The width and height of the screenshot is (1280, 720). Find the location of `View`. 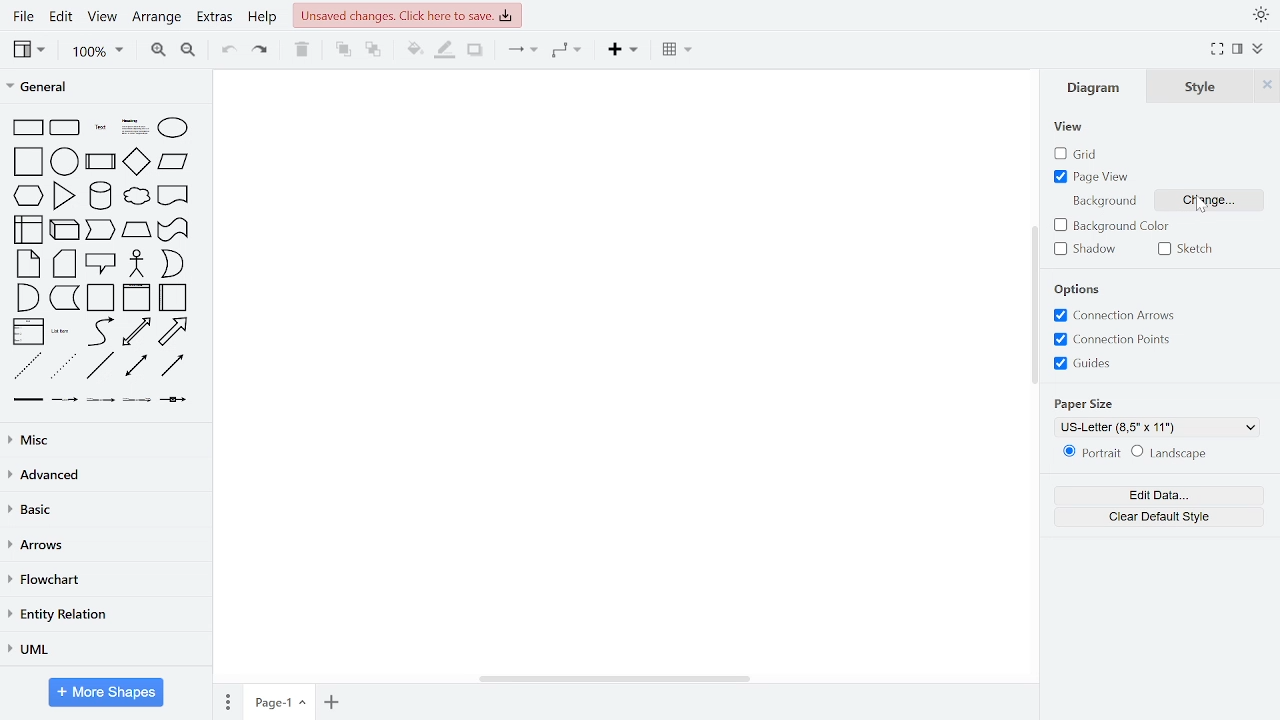

View is located at coordinates (1071, 127).